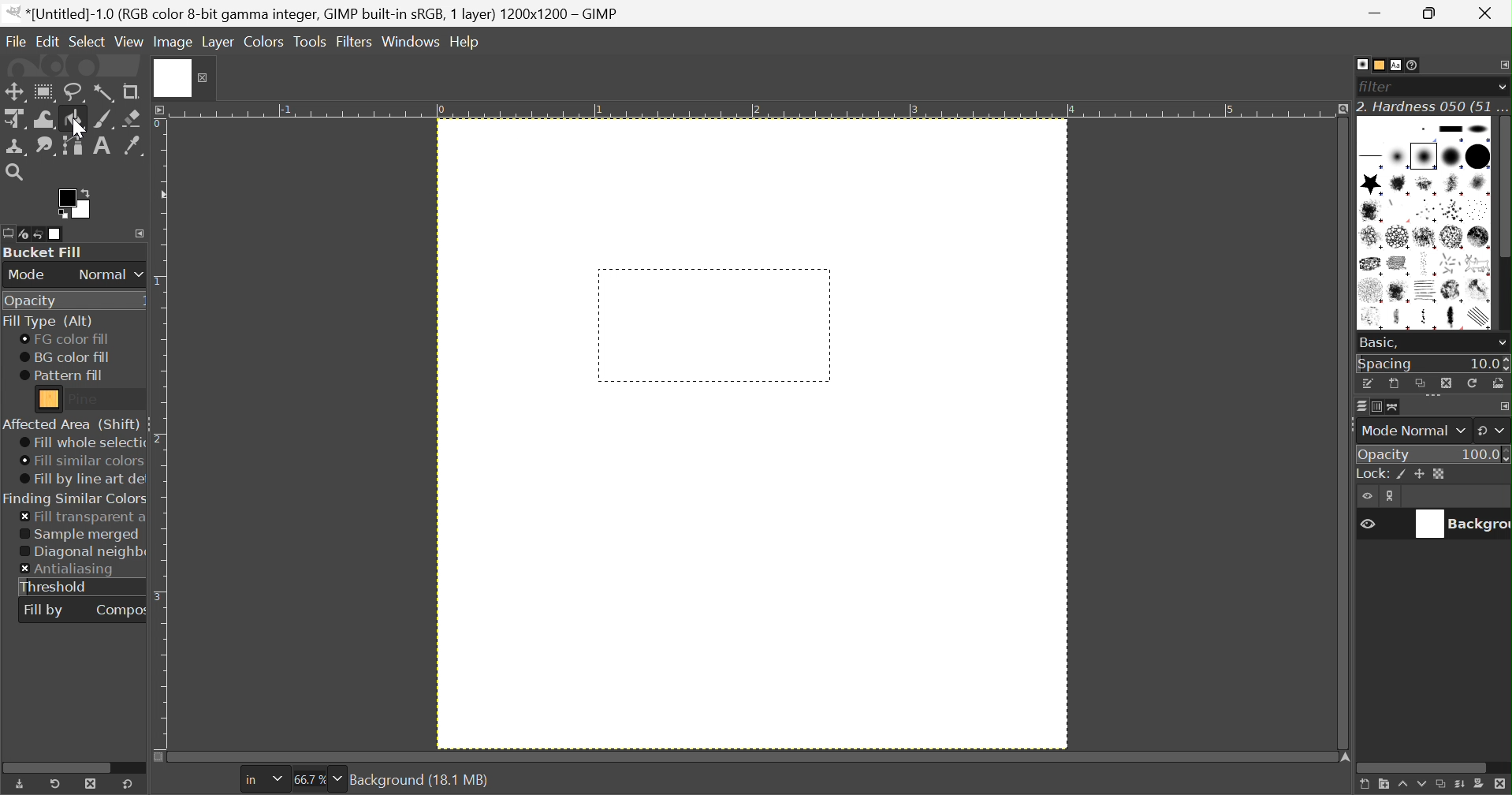 This screenshot has width=1512, height=795. I want to click on 100.0, so click(1485, 453).